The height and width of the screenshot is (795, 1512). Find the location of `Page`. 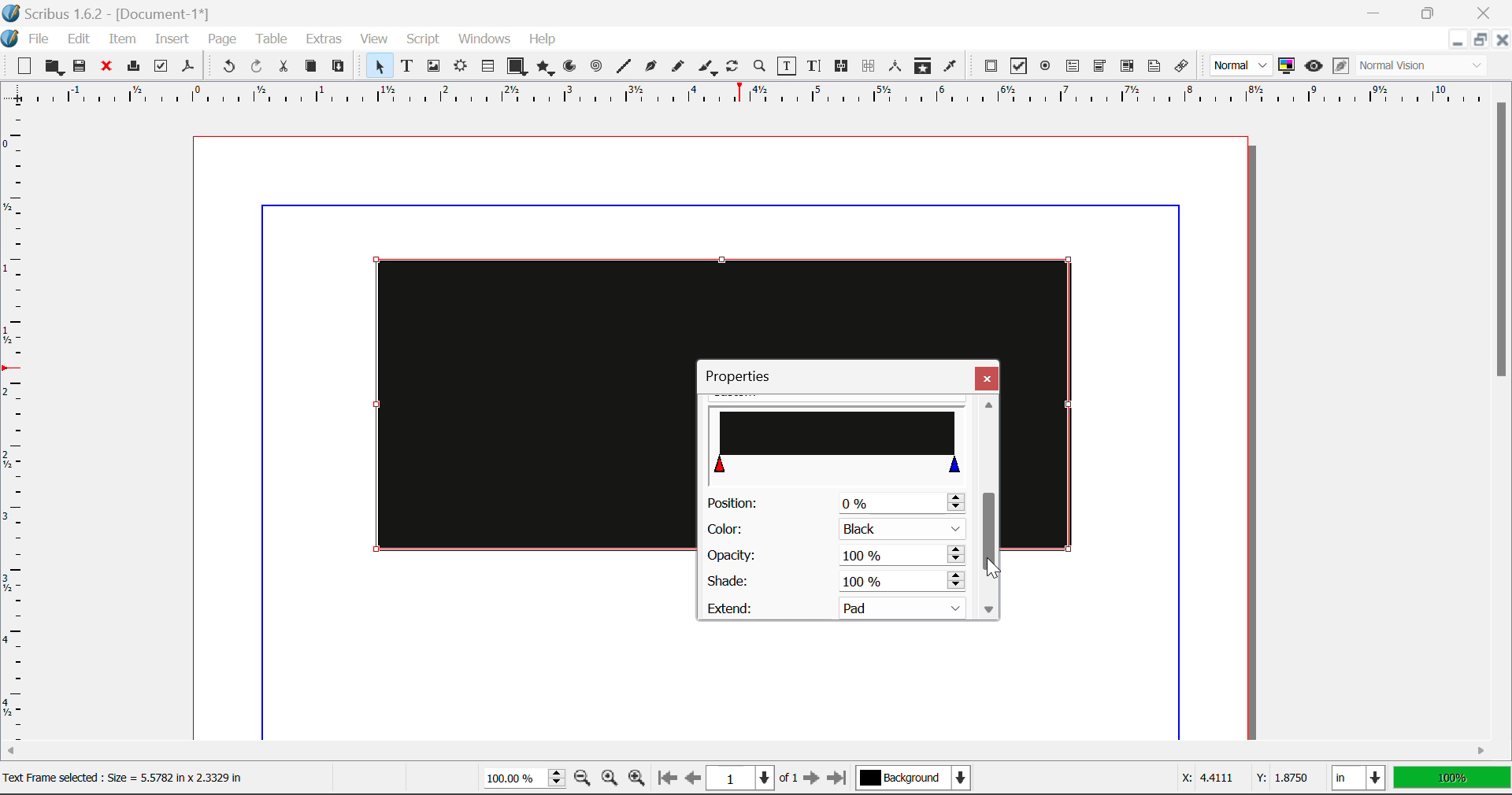

Page is located at coordinates (221, 40).